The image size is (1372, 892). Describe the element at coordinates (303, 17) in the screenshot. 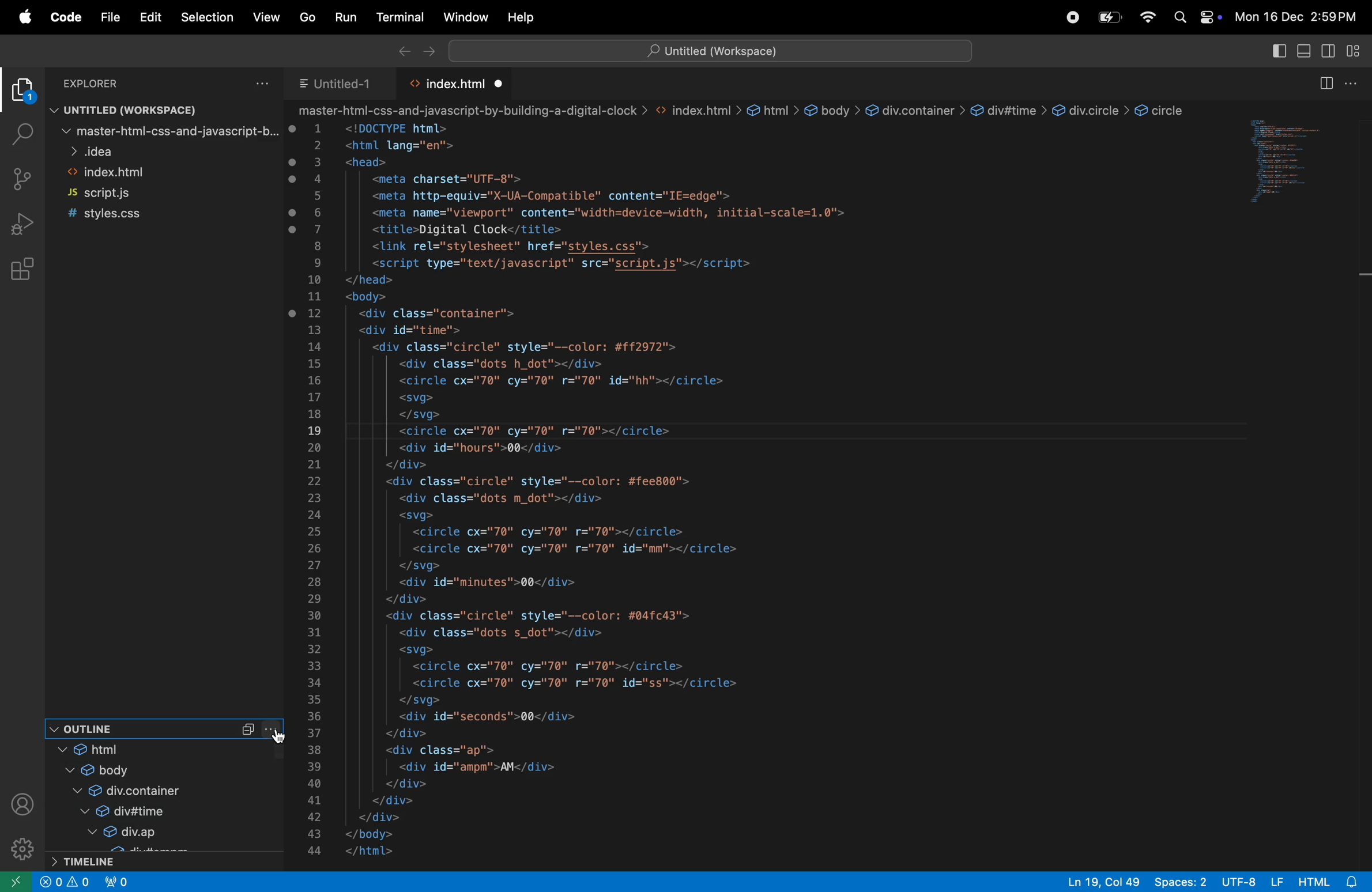

I see `Go` at that location.